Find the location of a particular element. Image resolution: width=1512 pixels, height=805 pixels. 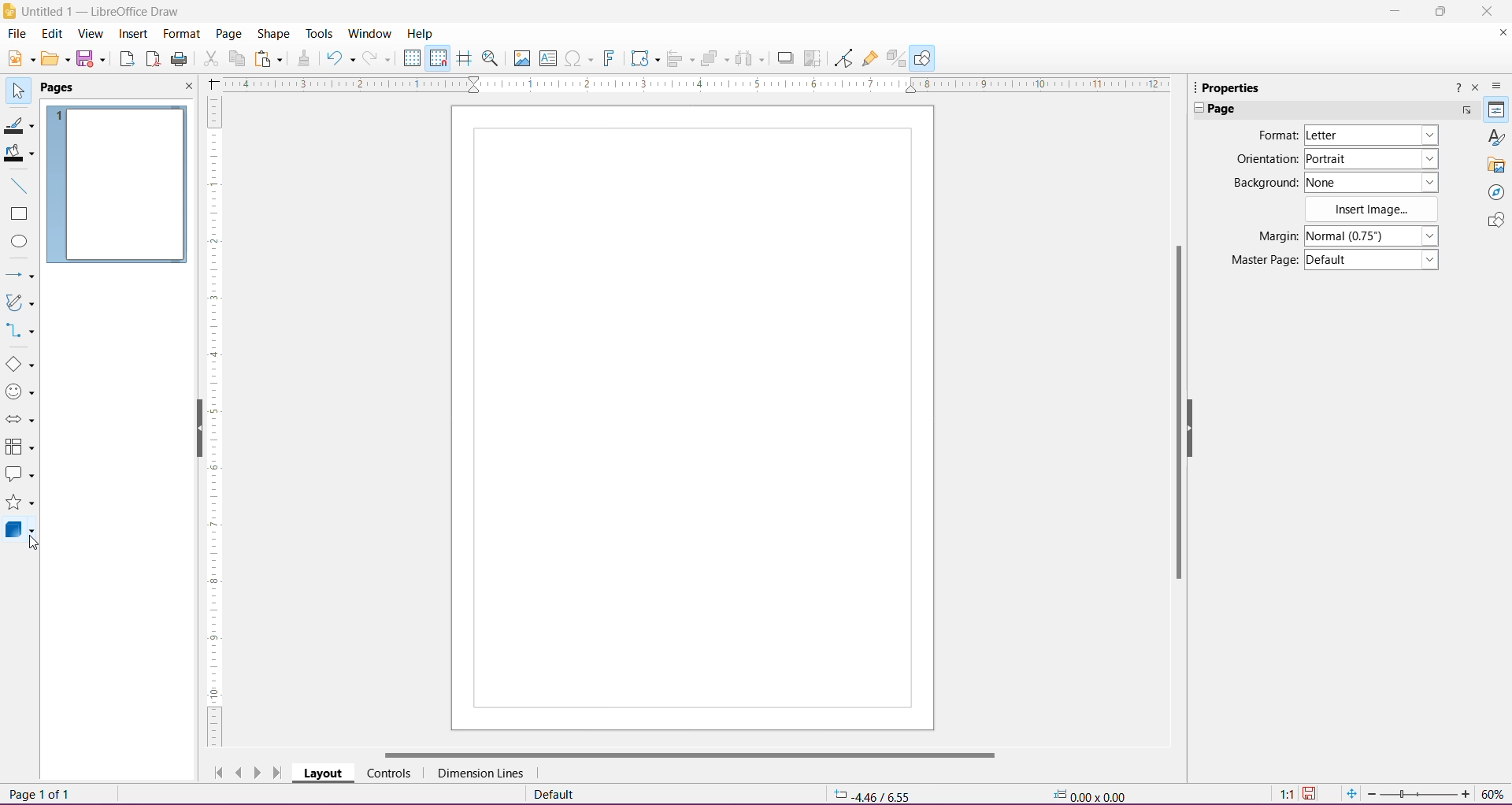

View is located at coordinates (91, 35).